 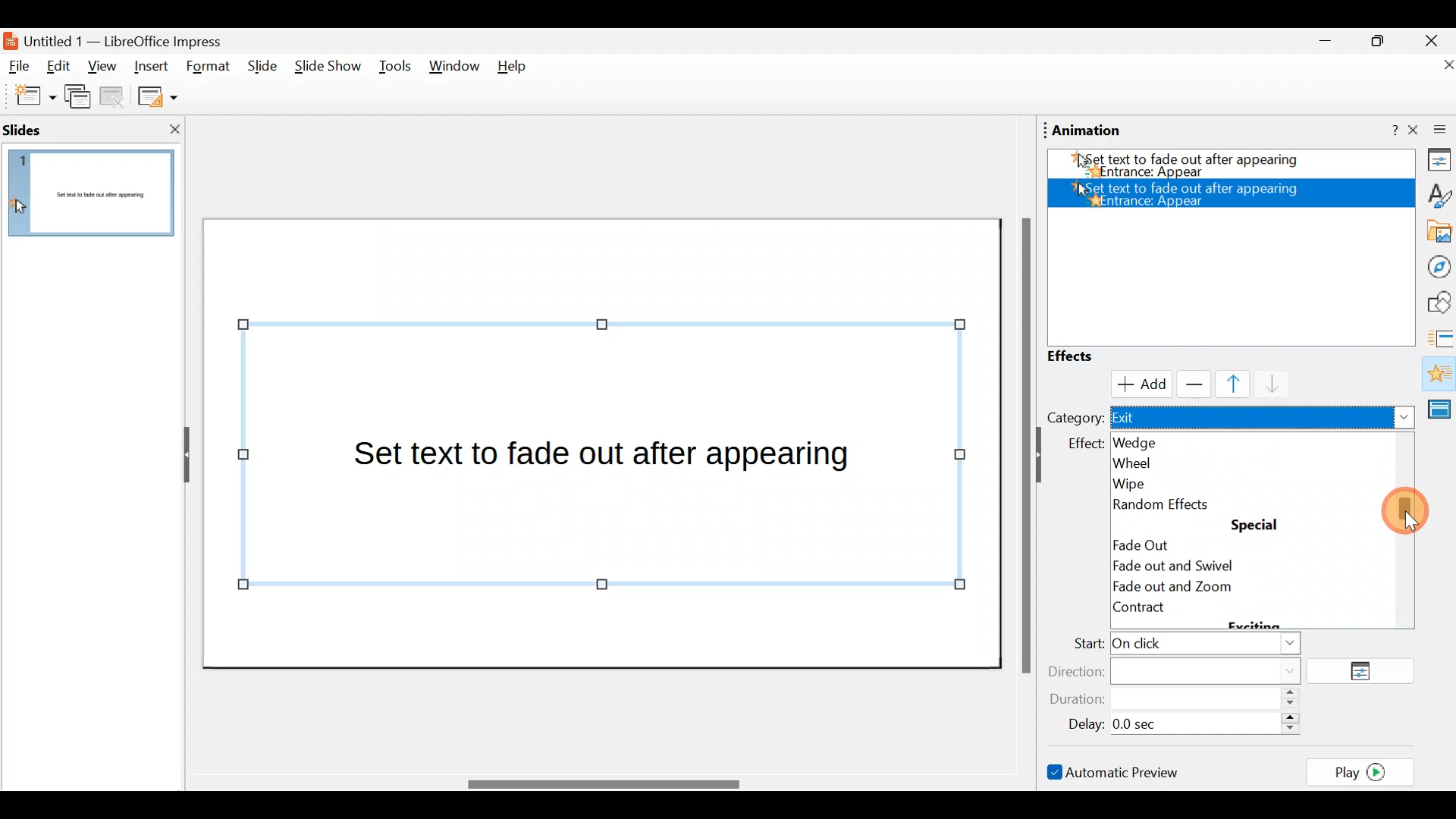 What do you see at coordinates (1442, 408) in the screenshot?
I see `Master slides` at bounding box center [1442, 408].